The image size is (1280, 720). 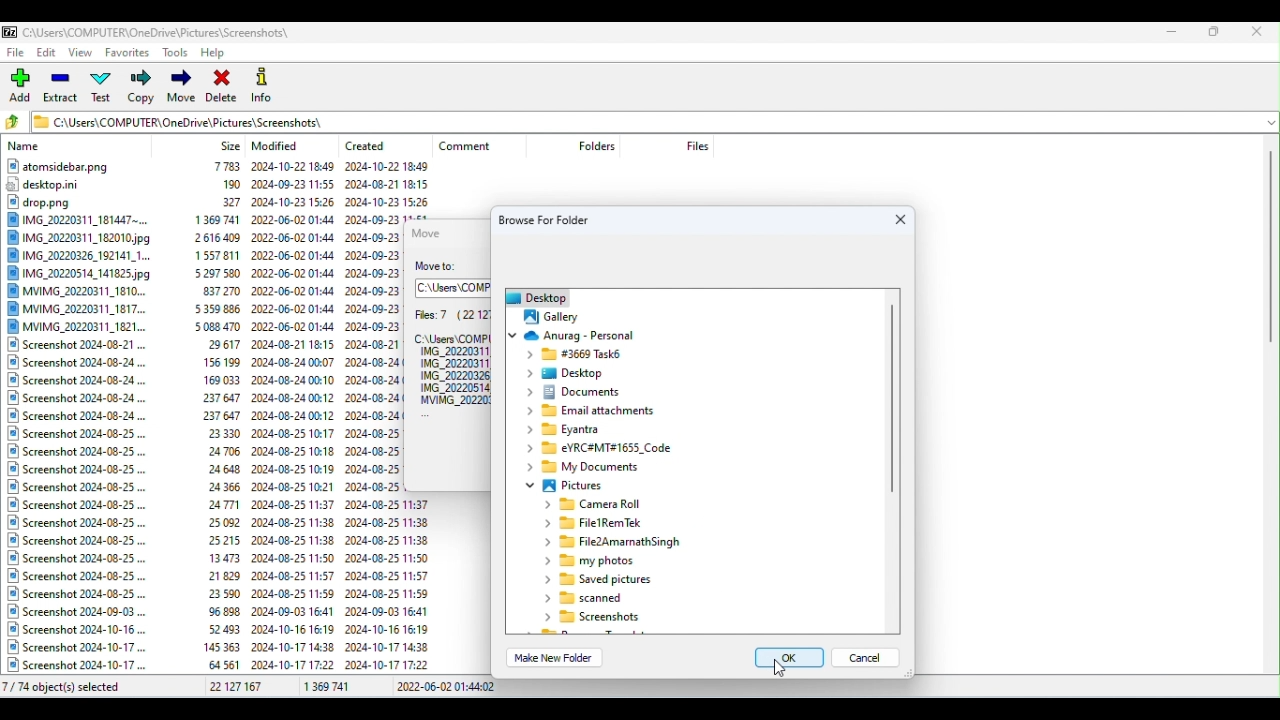 I want to click on OK, so click(x=783, y=660).